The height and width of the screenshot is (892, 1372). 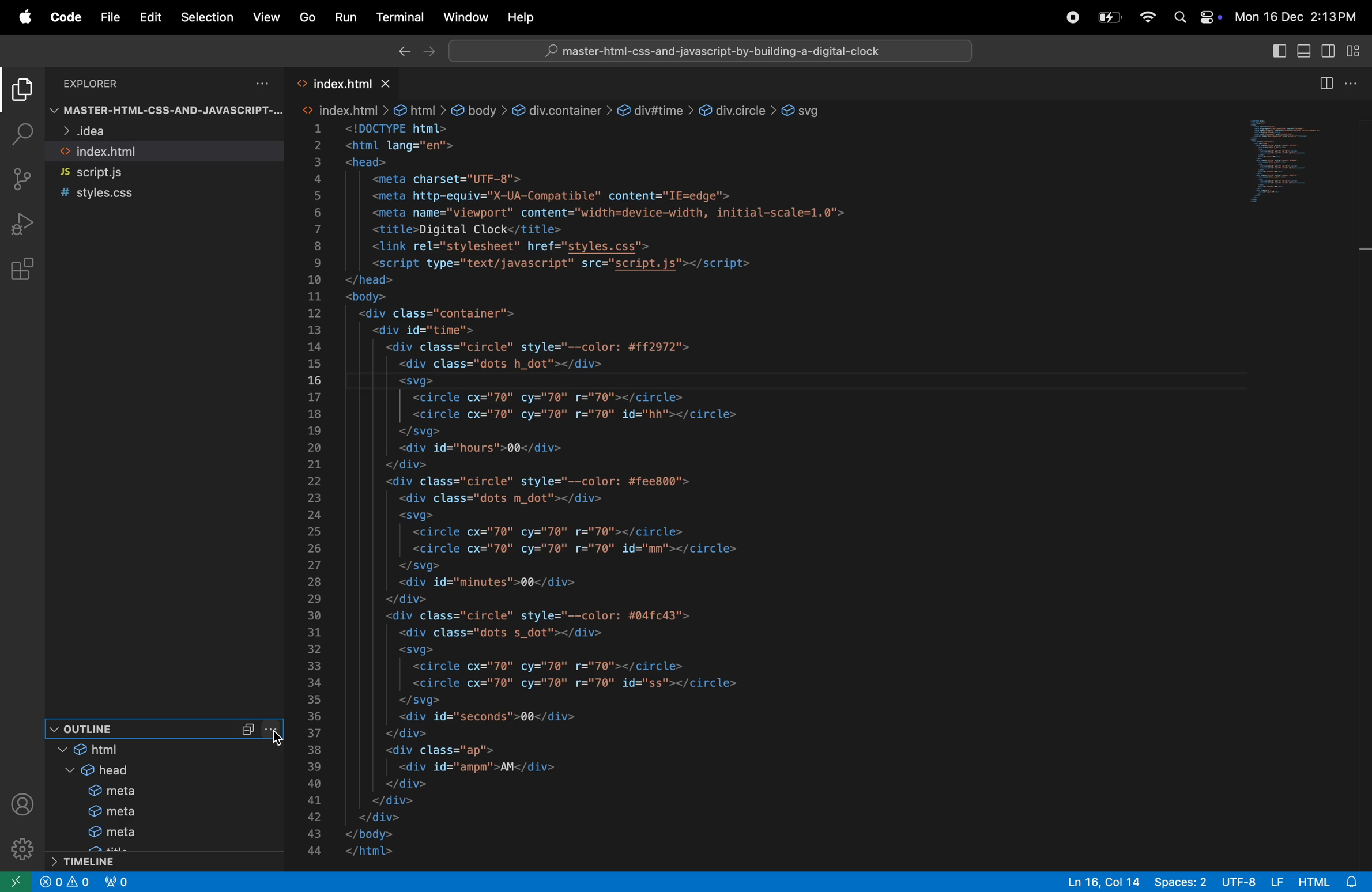 I want to click on index.html, so click(x=163, y=152).